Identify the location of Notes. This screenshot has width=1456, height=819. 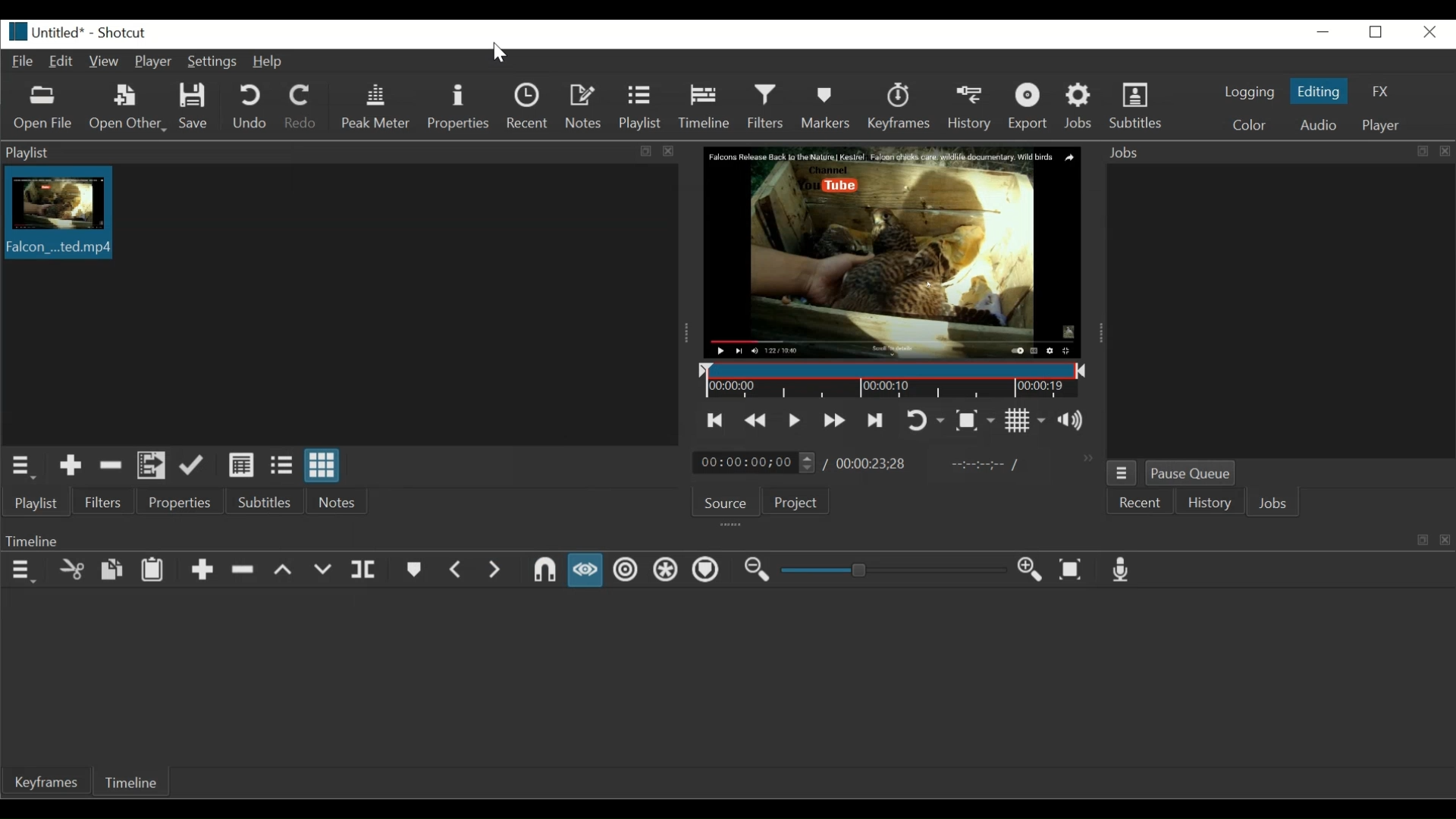
(586, 108).